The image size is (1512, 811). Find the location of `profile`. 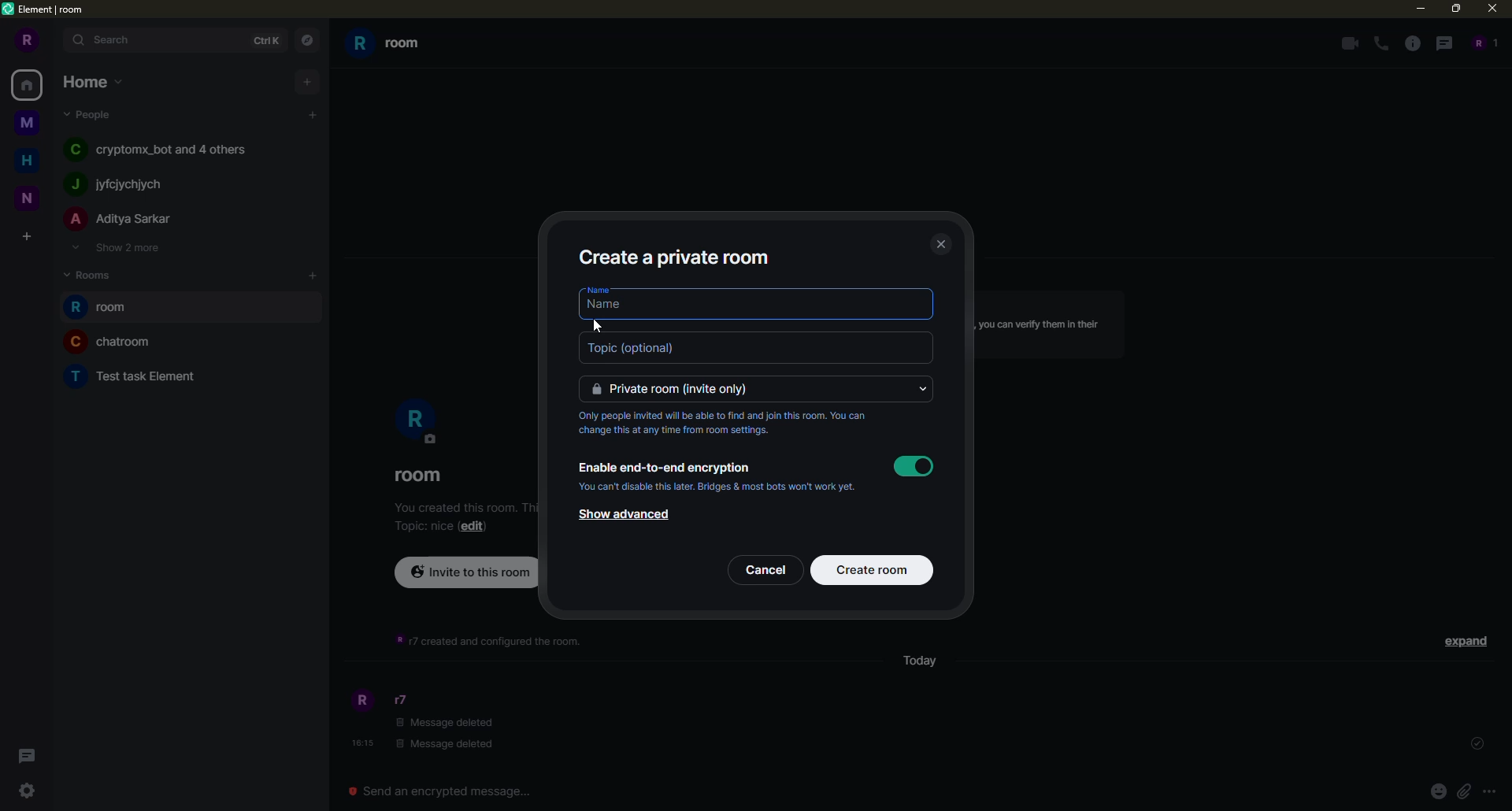

profile is located at coordinates (29, 39).